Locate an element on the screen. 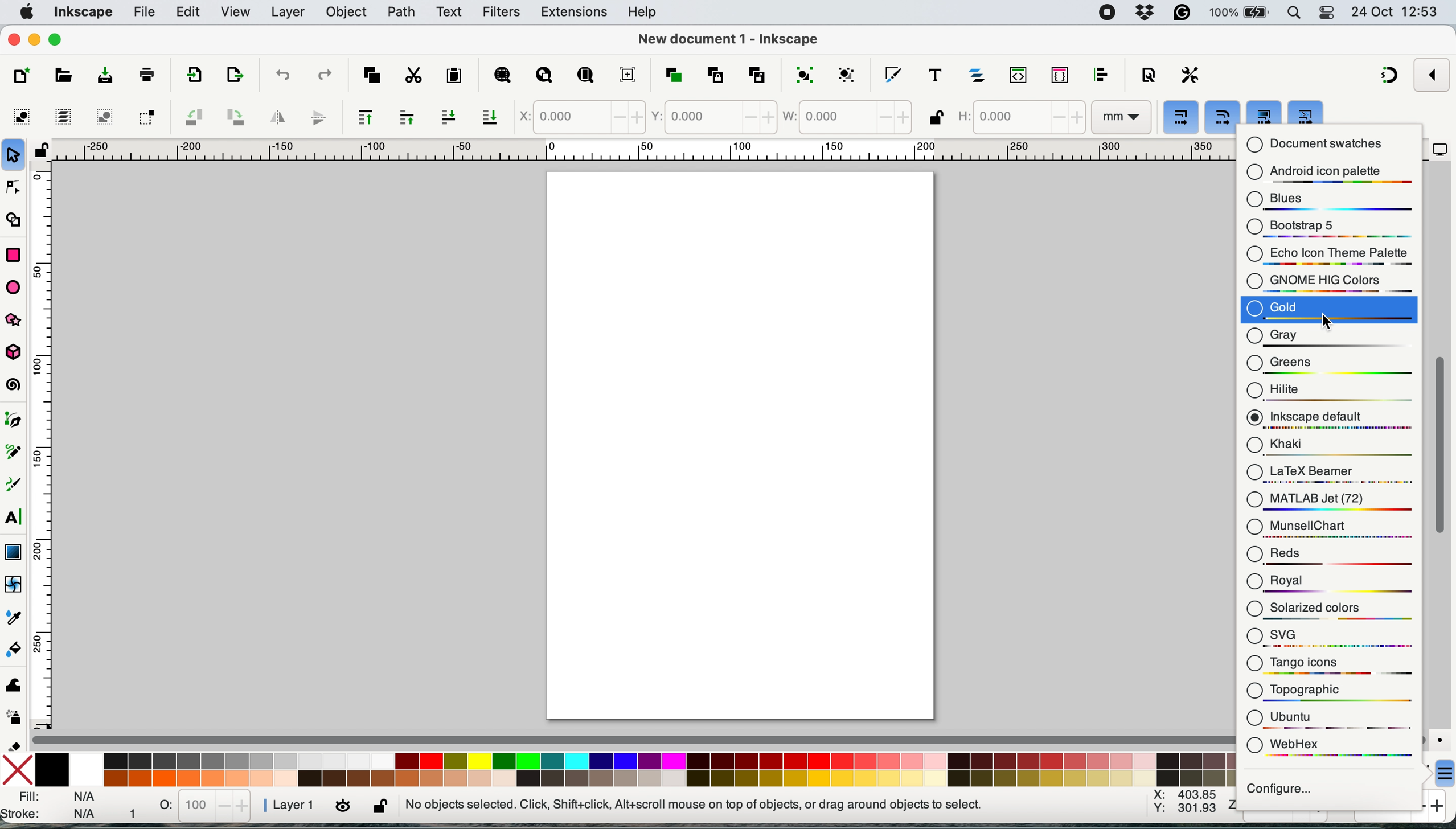  greens is located at coordinates (1327, 364).